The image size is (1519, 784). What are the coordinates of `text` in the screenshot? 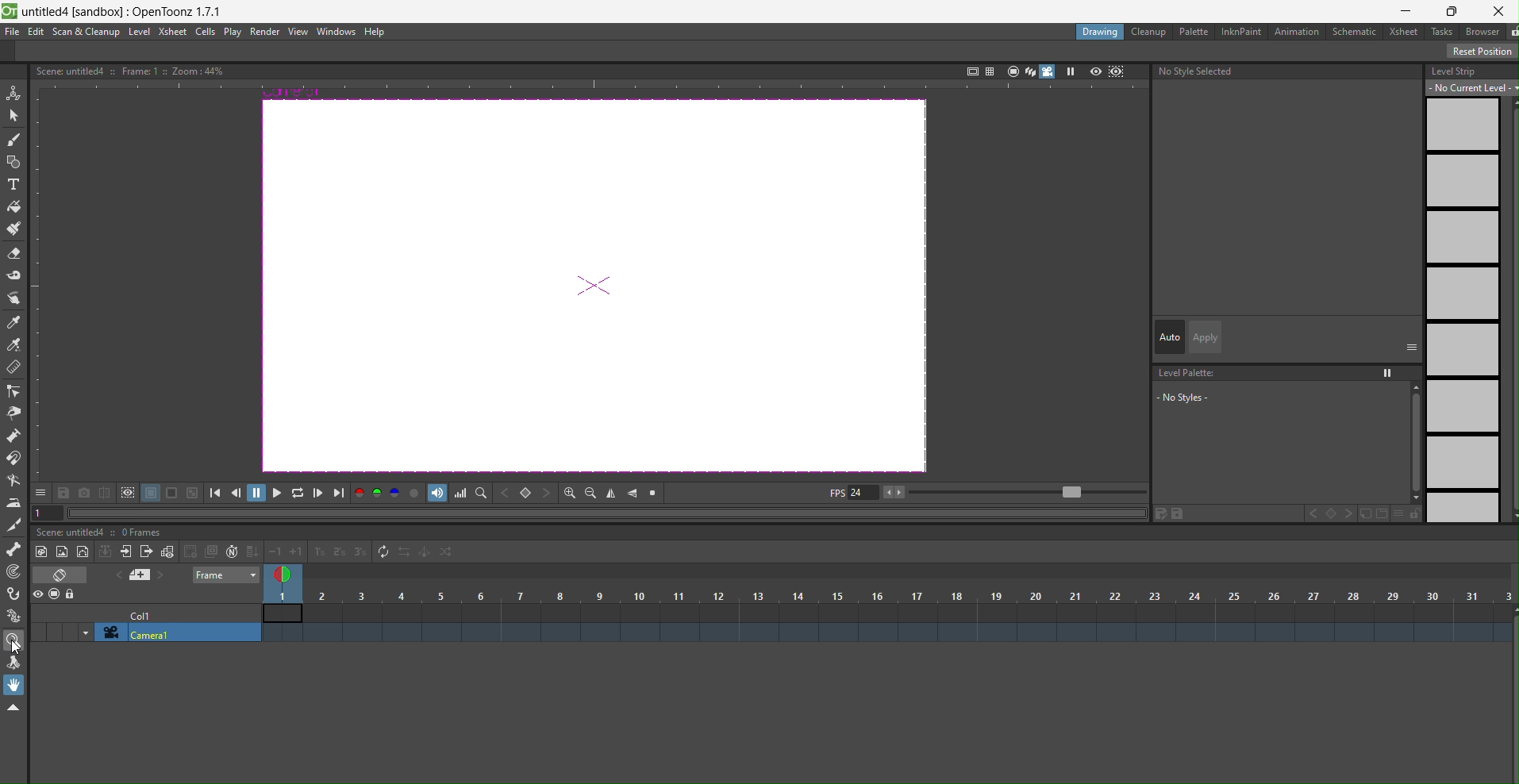 It's located at (102, 532).